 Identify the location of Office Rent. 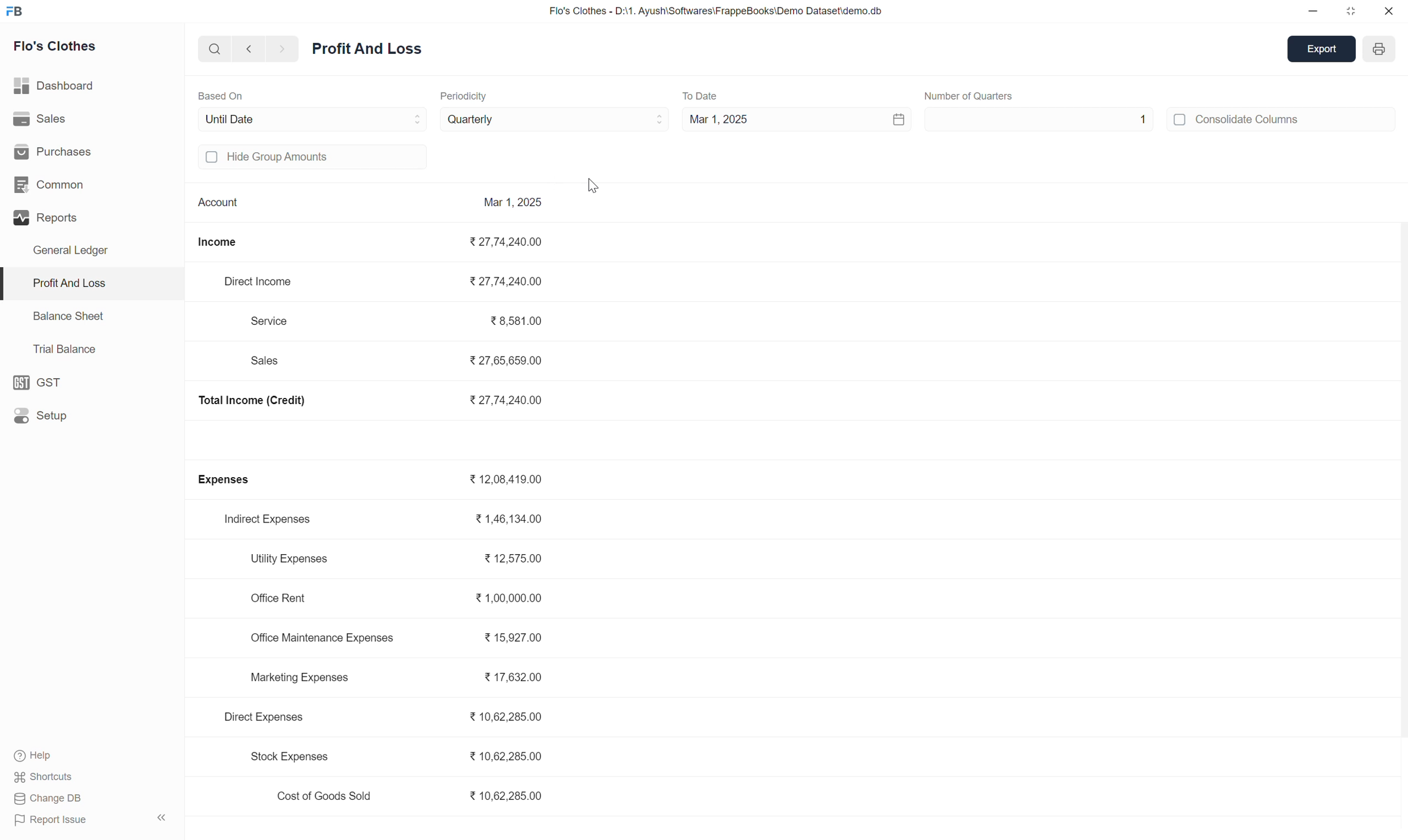
(281, 598).